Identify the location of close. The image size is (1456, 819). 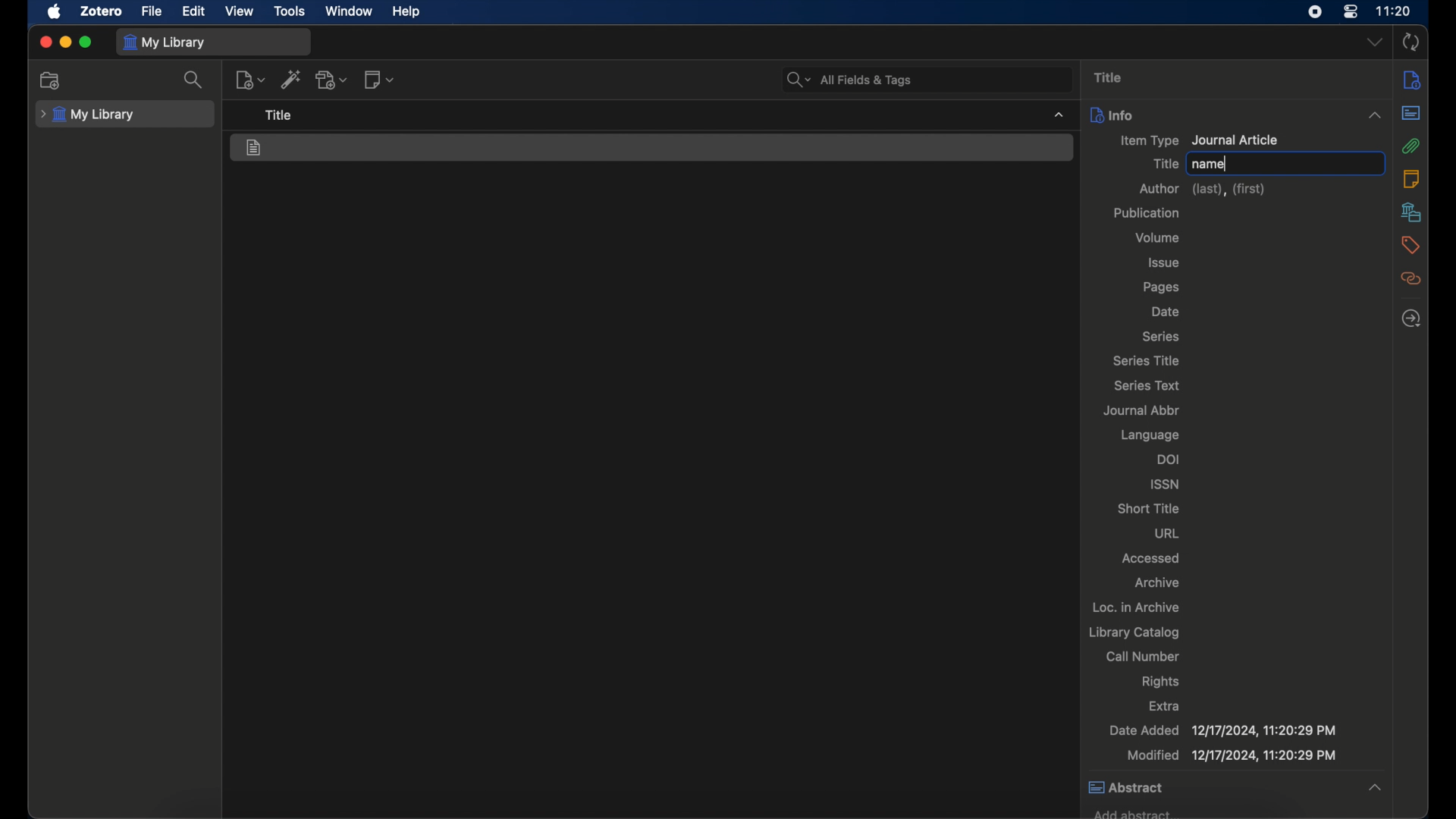
(45, 42).